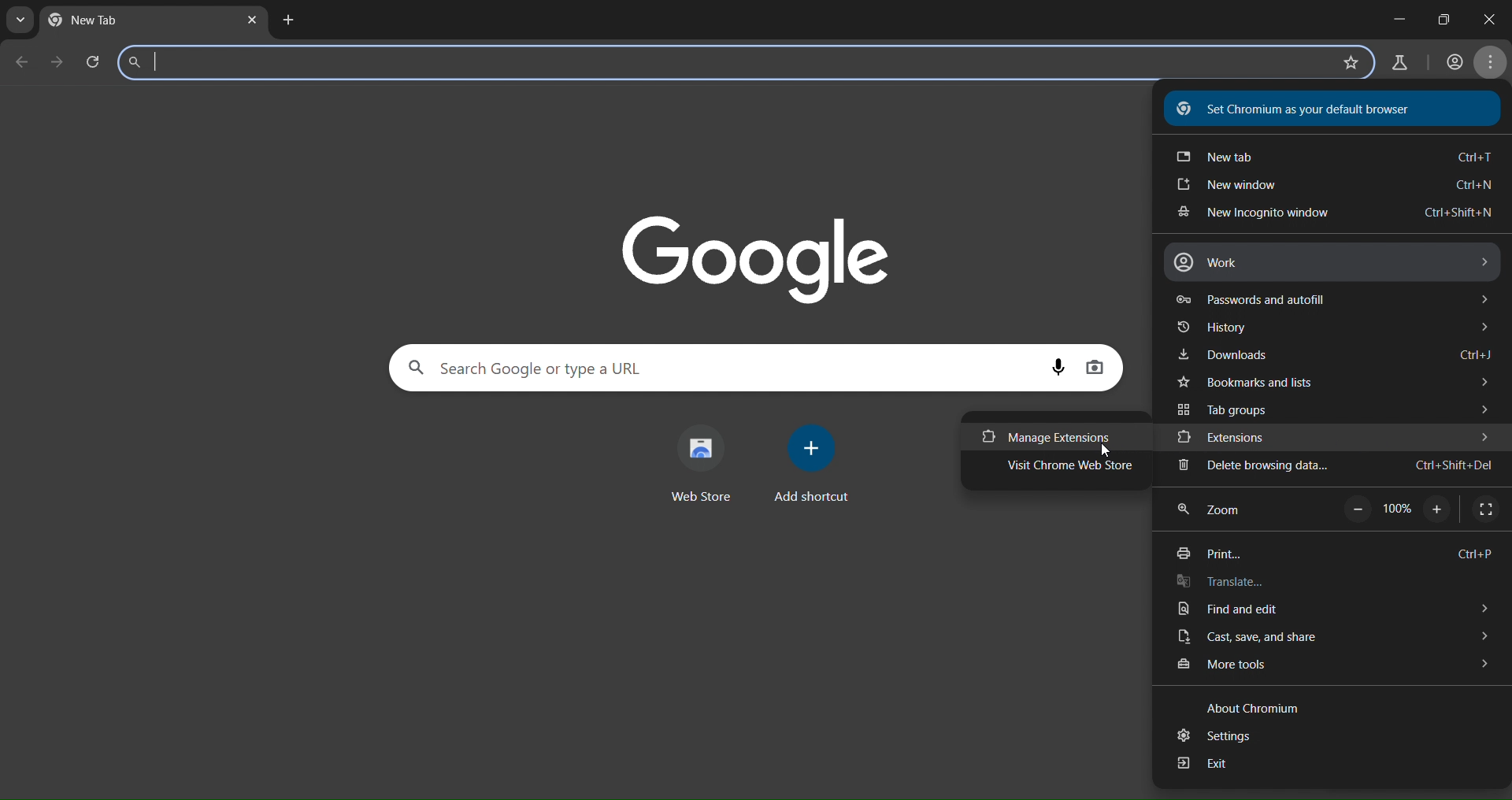 The height and width of the screenshot is (800, 1512). Describe the element at coordinates (1490, 61) in the screenshot. I see `menu` at that location.